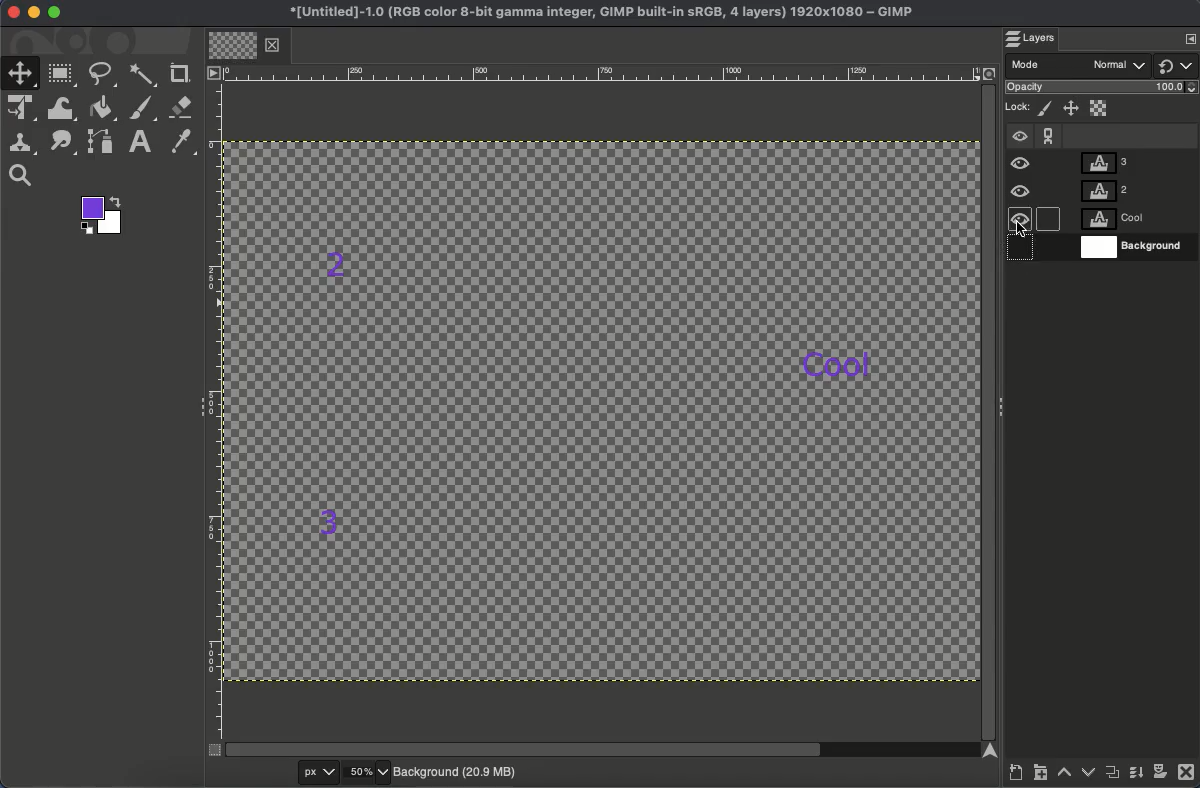 This screenshot has height=788, width=1200. Describe the element at coordinates (1039, 39) in the screenshot. I see `Layers` at that location.